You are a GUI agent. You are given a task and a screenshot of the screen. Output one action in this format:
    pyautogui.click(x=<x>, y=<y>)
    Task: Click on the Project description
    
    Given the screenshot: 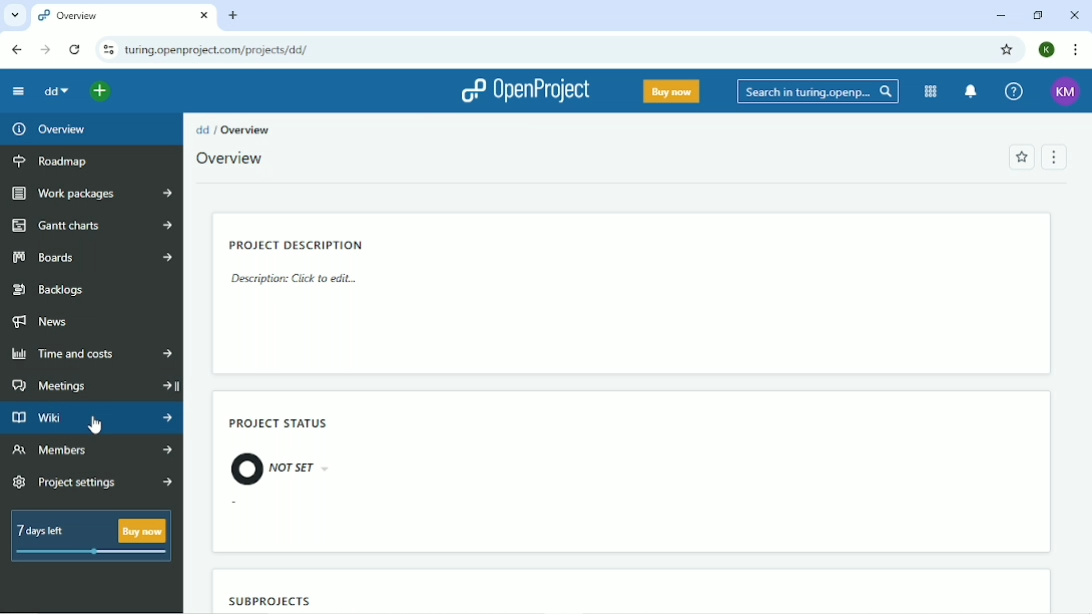 What is the action you would take?
    pyautogui.click(x=300, y=244)
    